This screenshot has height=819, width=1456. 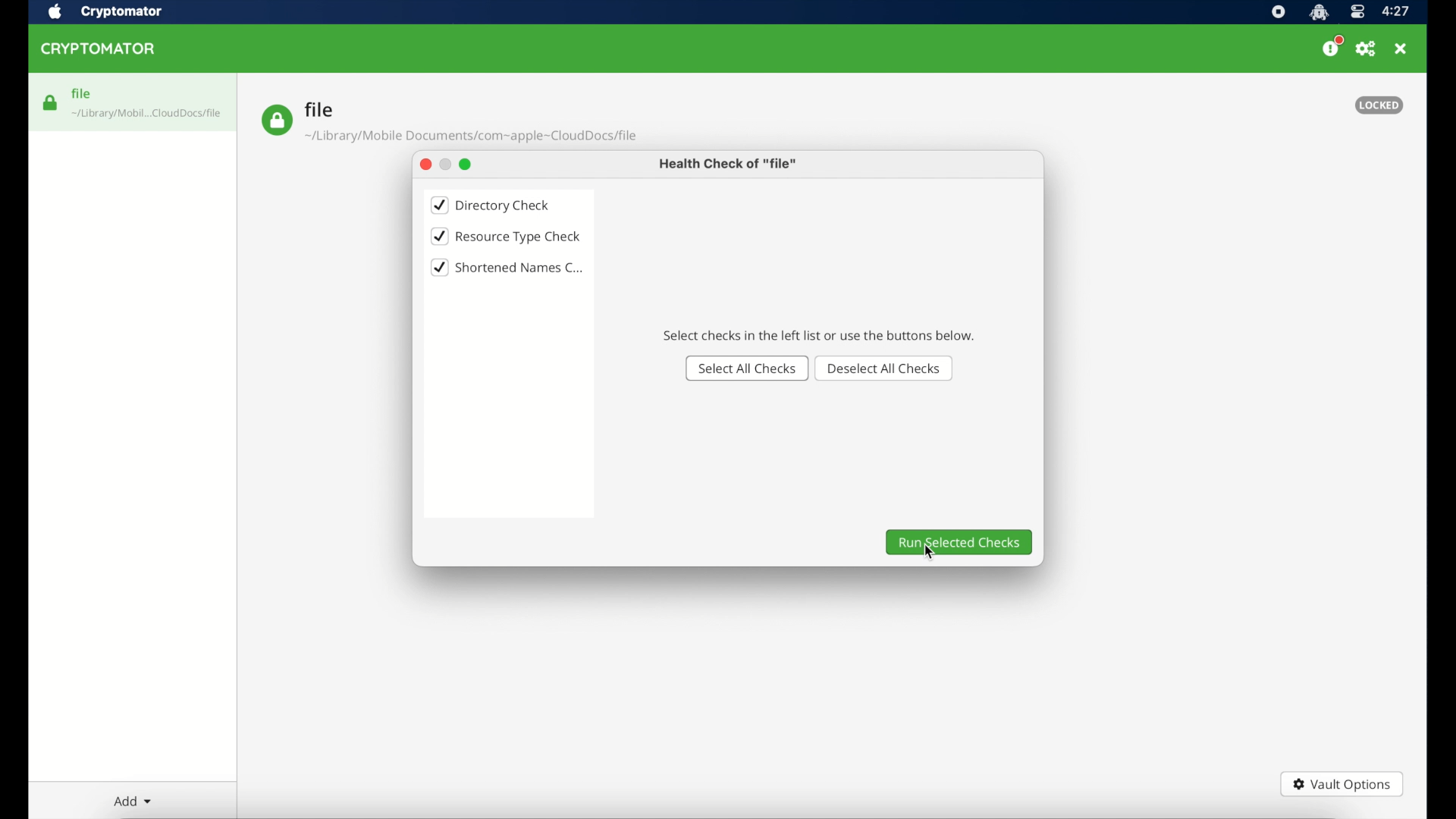 What do you see at coordinates (1379, 105) in the screenshot?
I see `locked` at bounding box center [1379, 105].